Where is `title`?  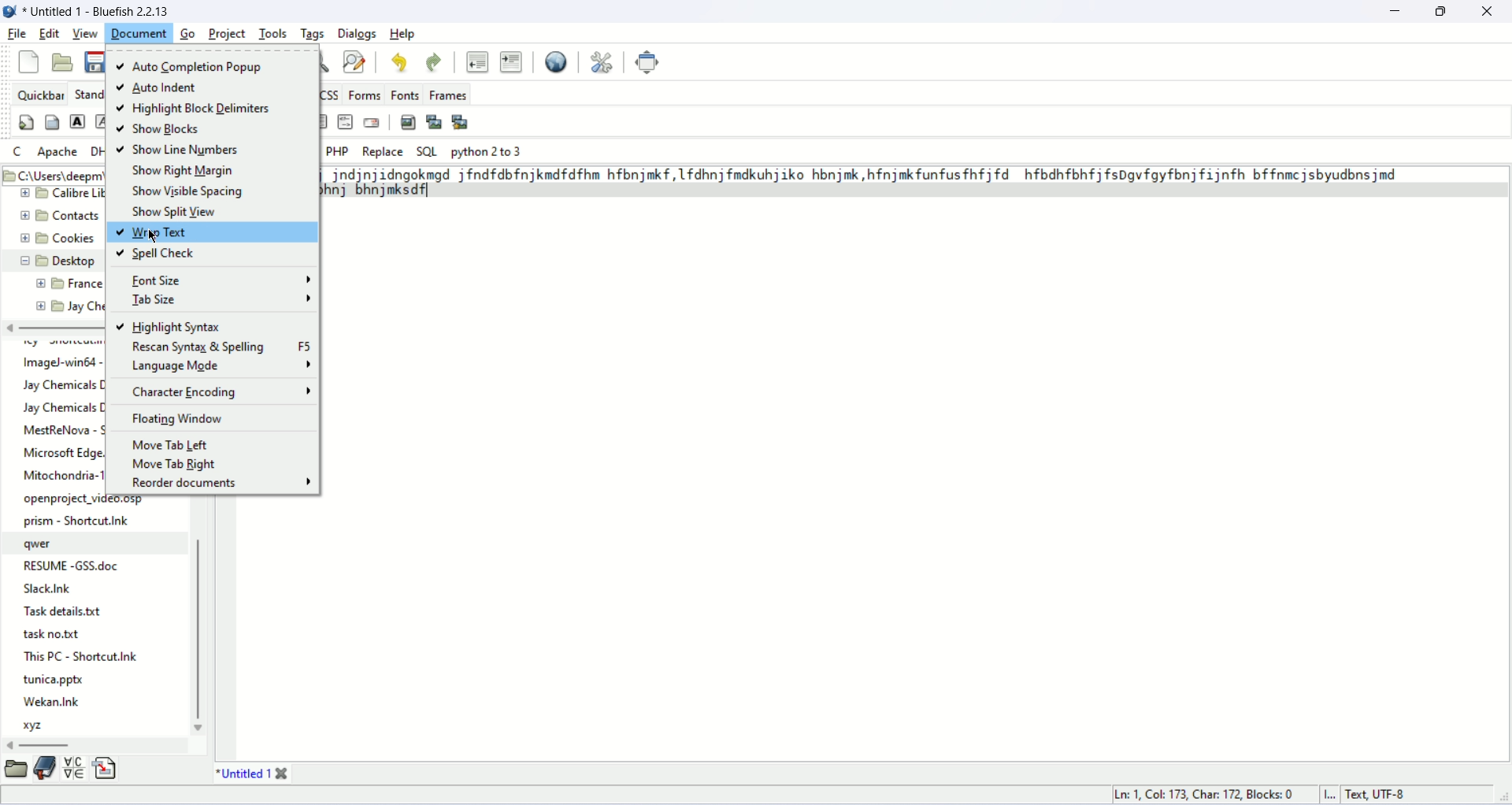 title is located at coordinates (240, 772).